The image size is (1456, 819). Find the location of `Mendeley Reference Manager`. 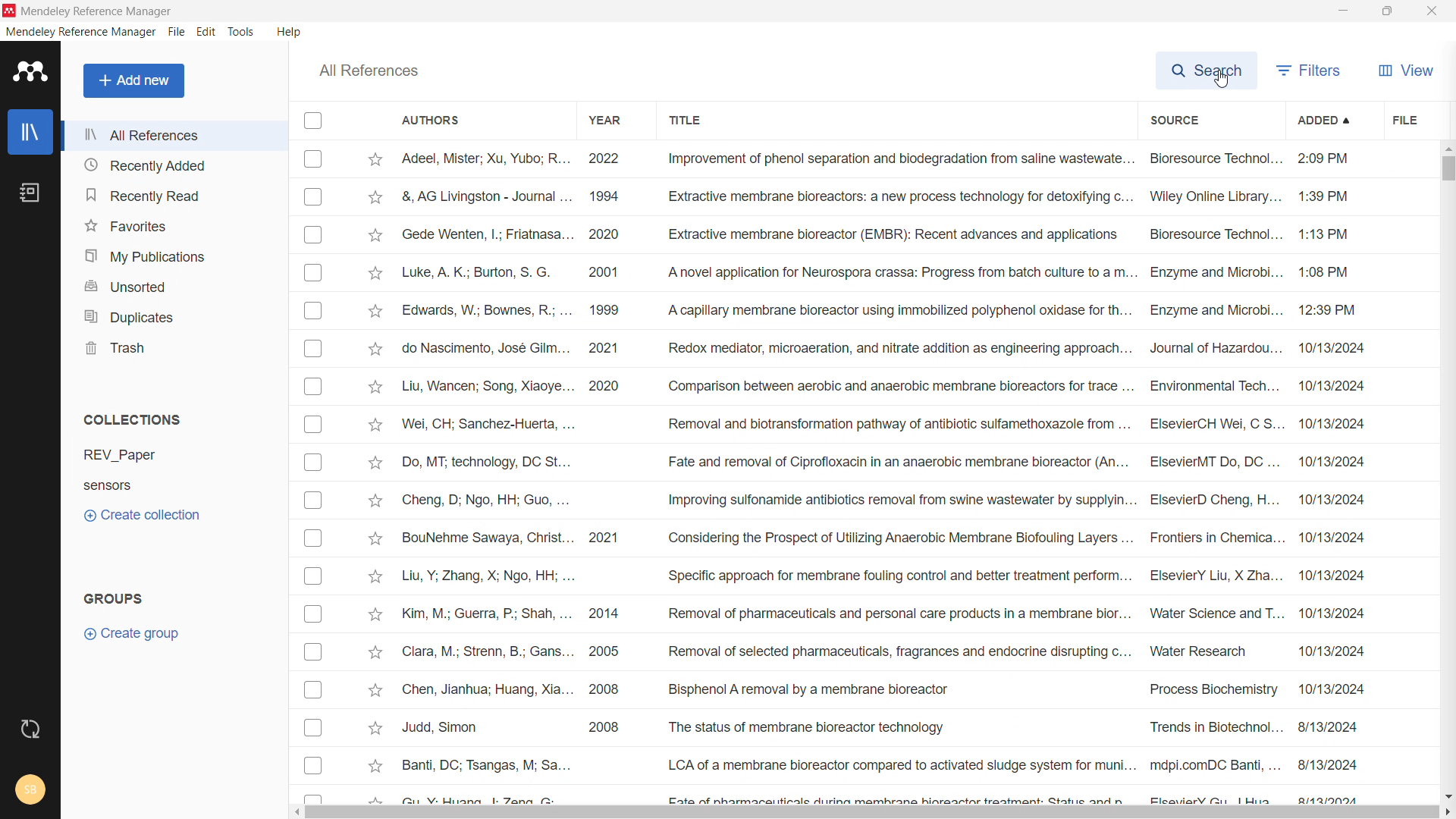

Mendeley Reference Manager is located at coordinates (96, 11).